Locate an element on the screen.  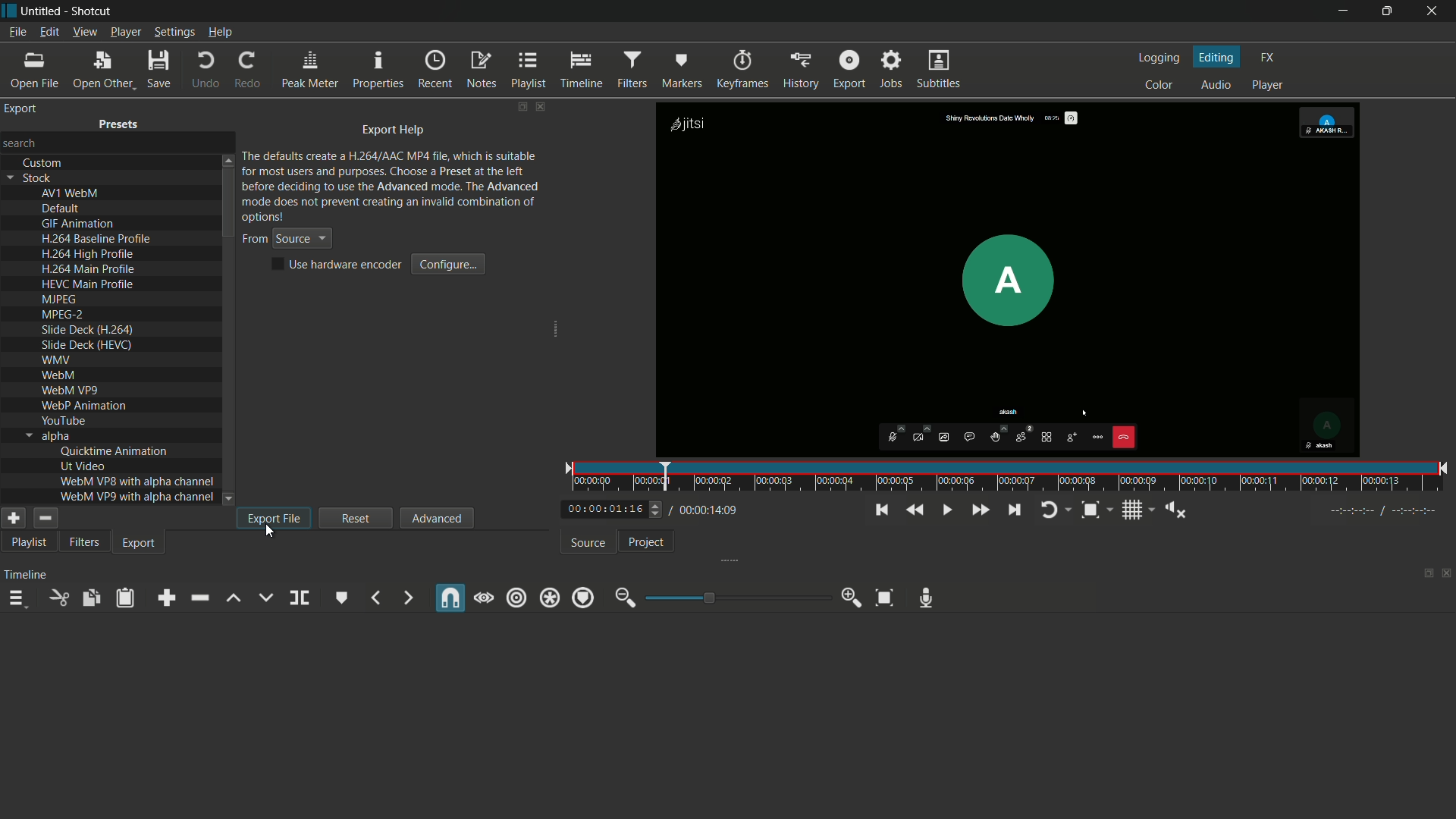
zoom timeline to fit is located at coordinates (885, 598).